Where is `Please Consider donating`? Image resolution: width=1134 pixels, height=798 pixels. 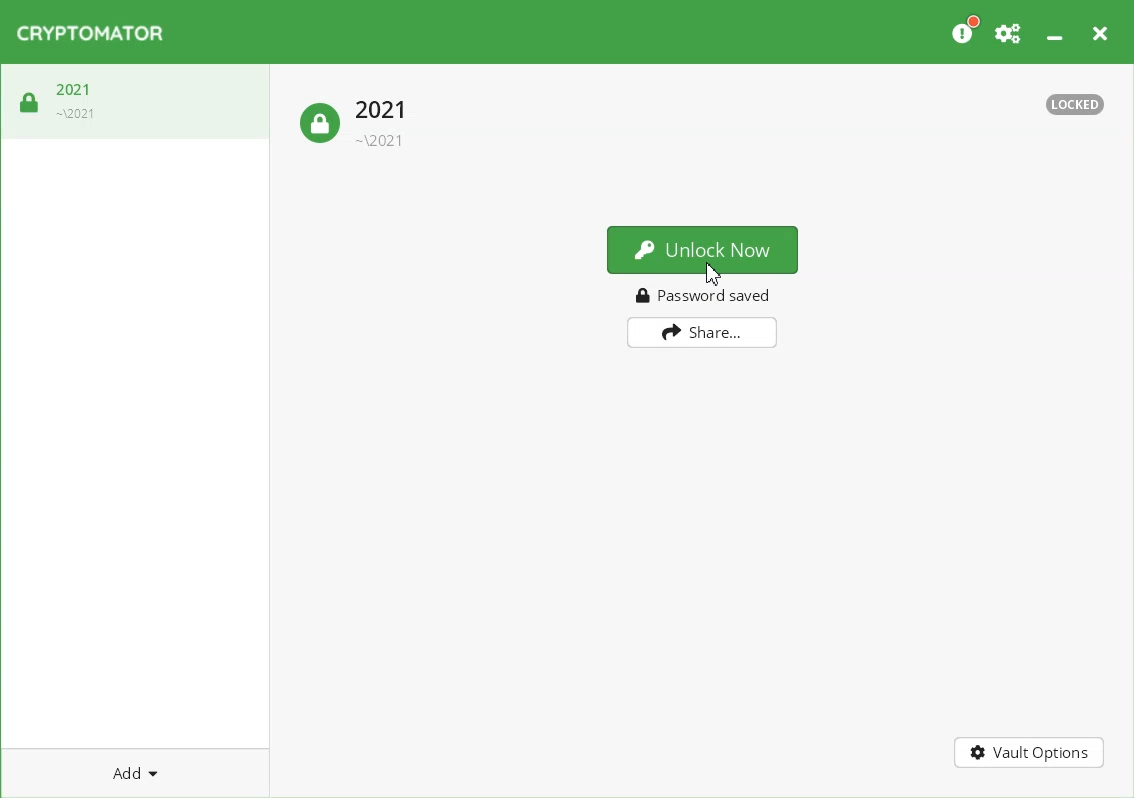
Please Consider donating is located at coordinates (965, 29).